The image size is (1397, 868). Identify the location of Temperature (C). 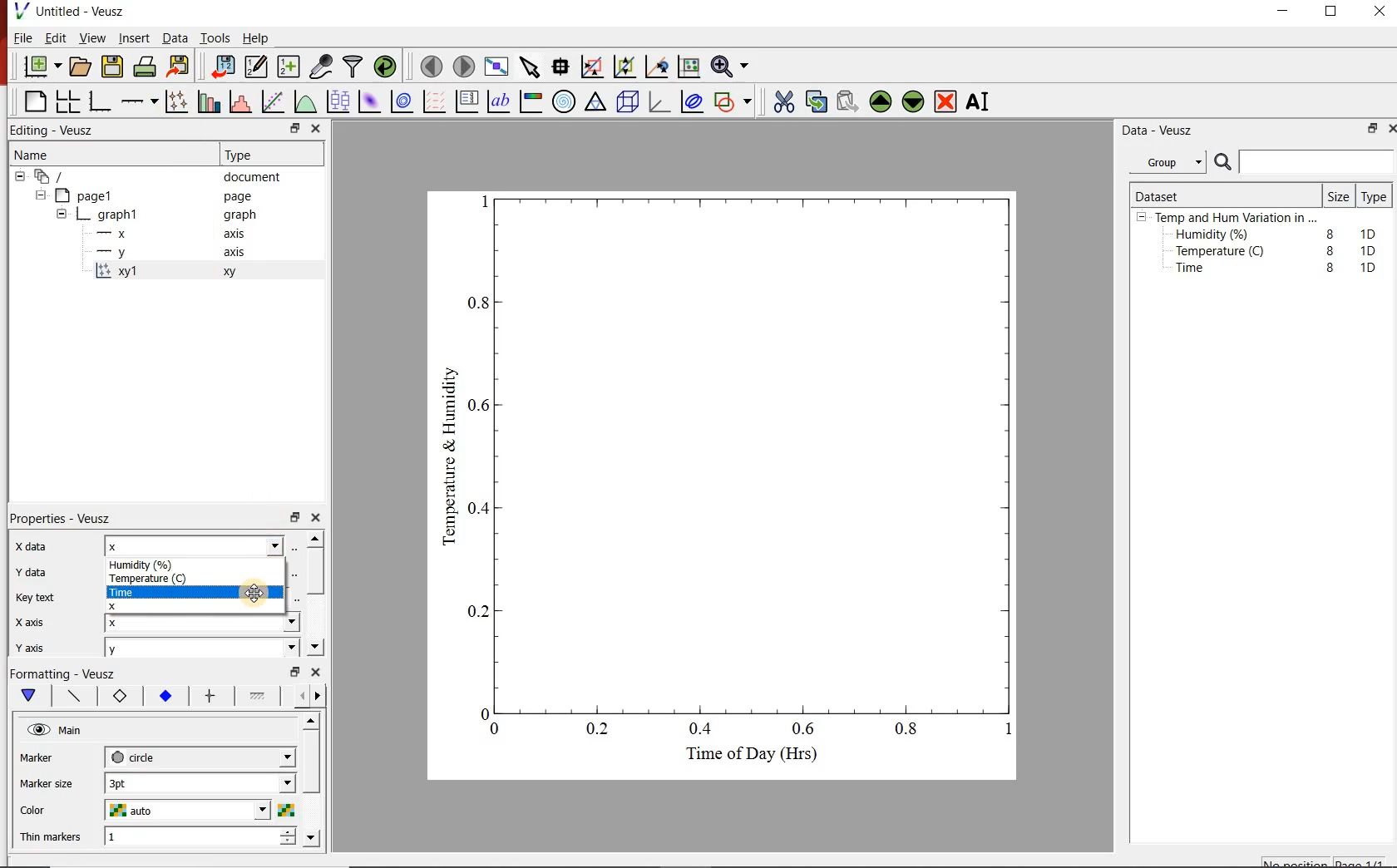
(1223, 253).